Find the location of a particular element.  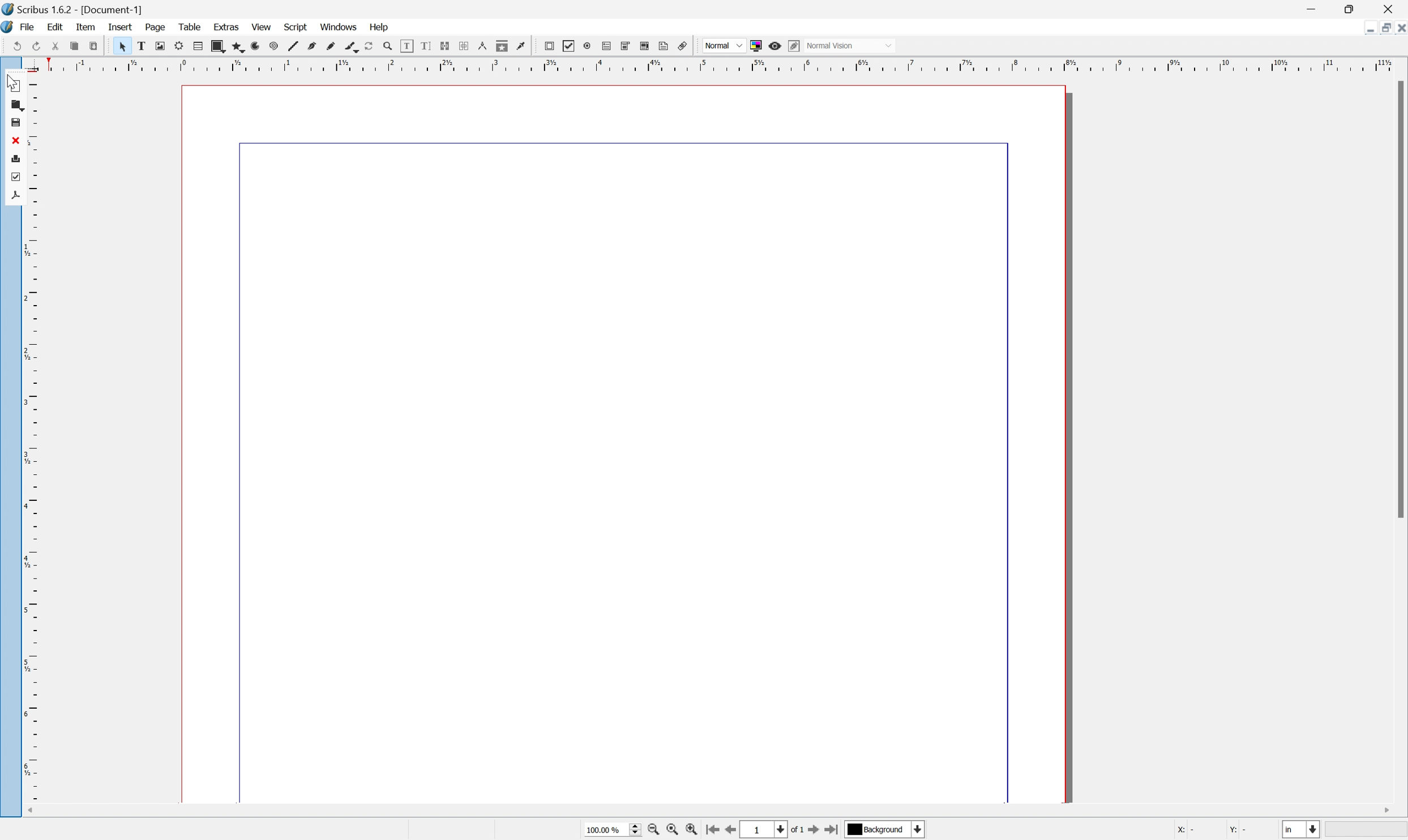

table is located at coordinates (332, 46).